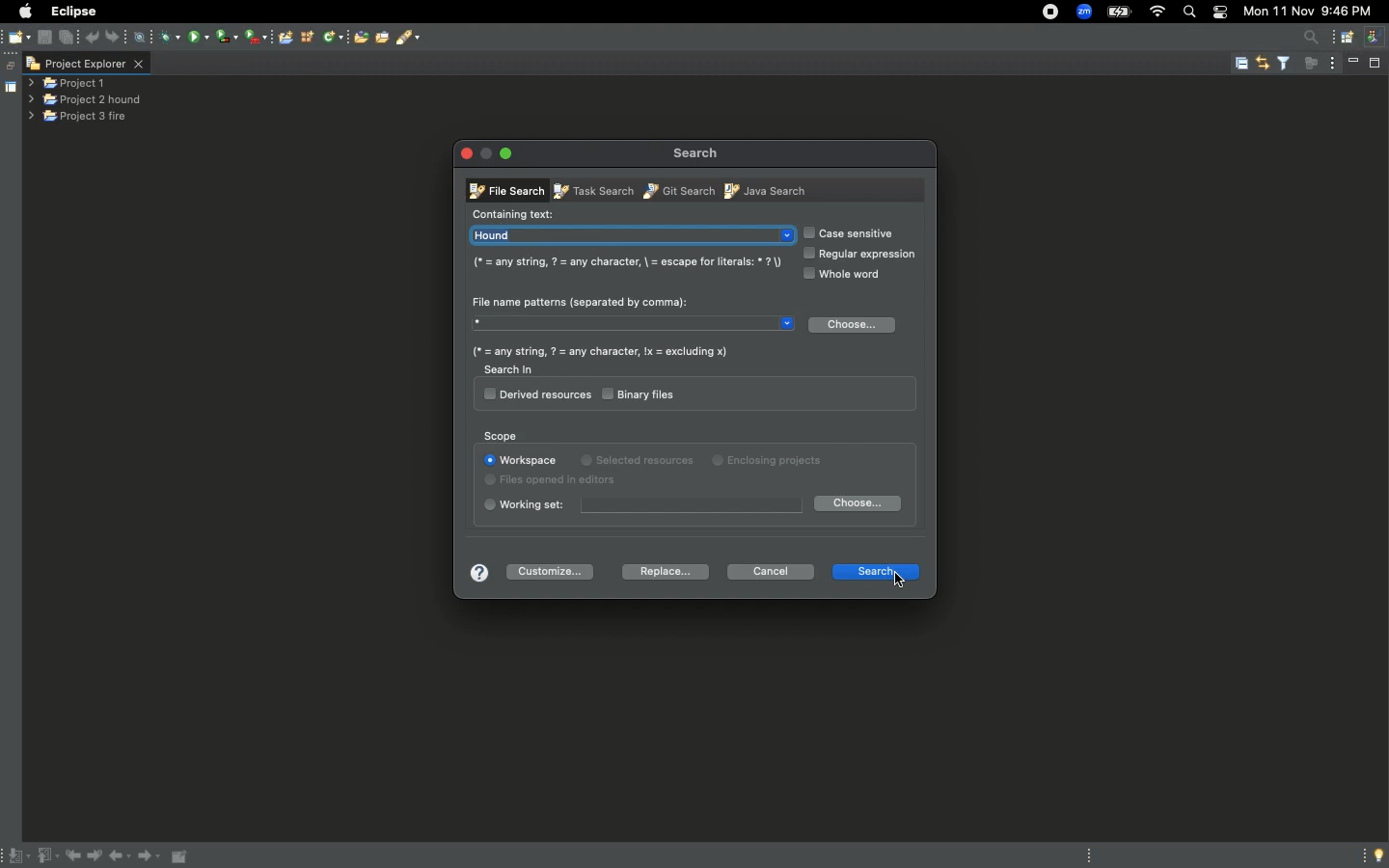 This screenshot has width=1389, height=868. I want to click on Case sensitive, so click(854, 233).